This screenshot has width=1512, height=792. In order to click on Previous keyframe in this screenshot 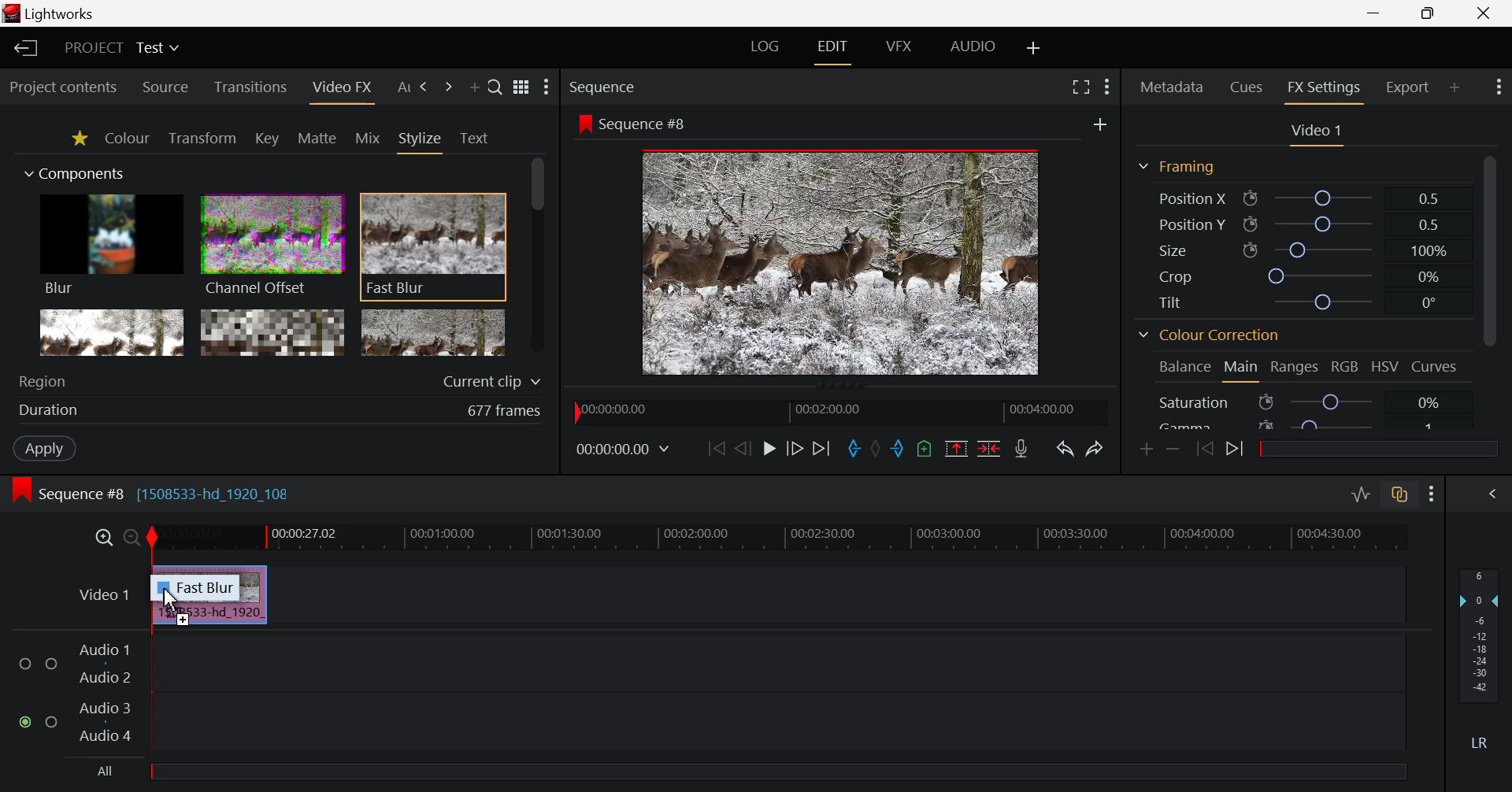, I will do `click(1204, 450)`.